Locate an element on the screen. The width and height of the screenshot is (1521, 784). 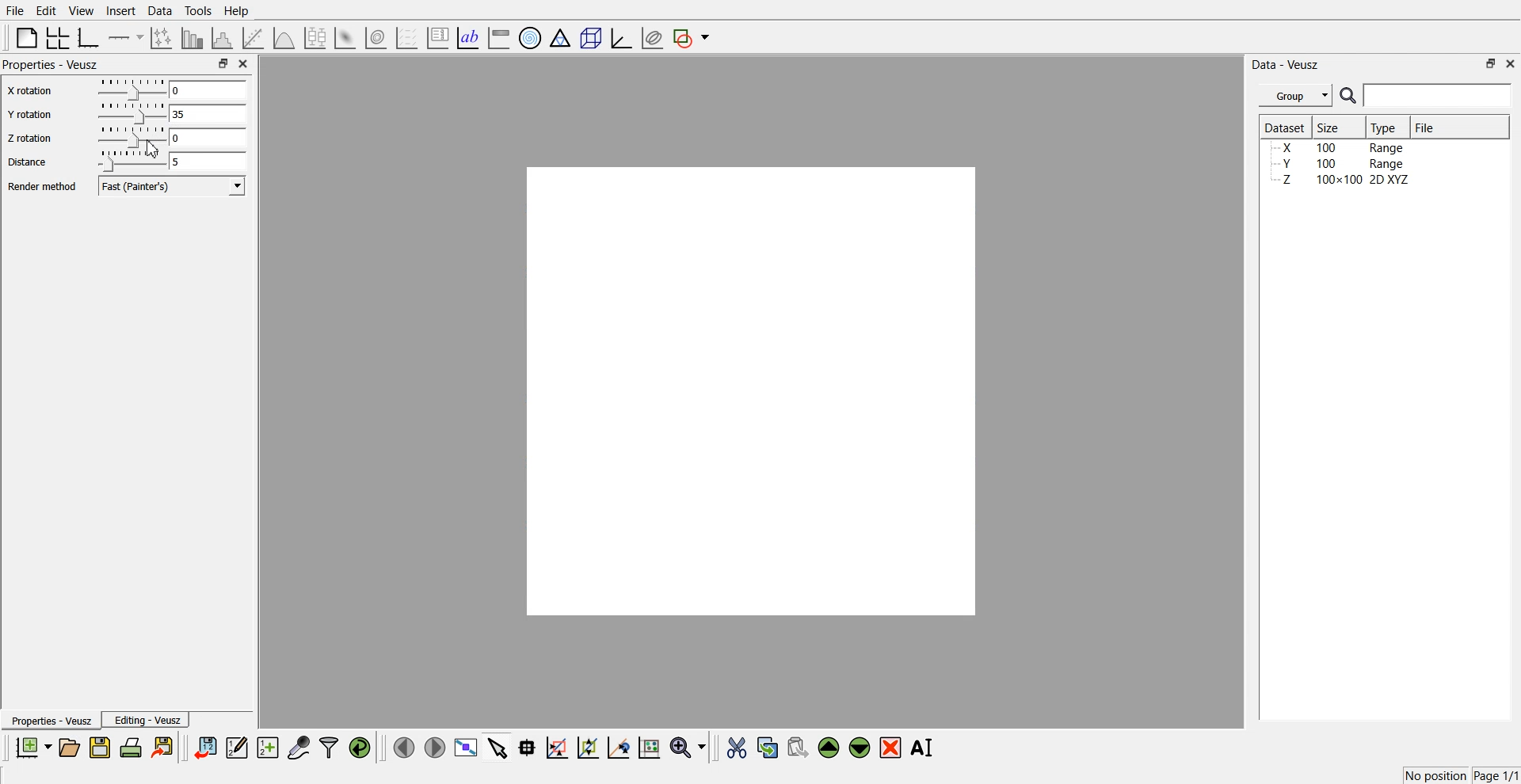
Move to the previous page is located at coordinates (404, 747).